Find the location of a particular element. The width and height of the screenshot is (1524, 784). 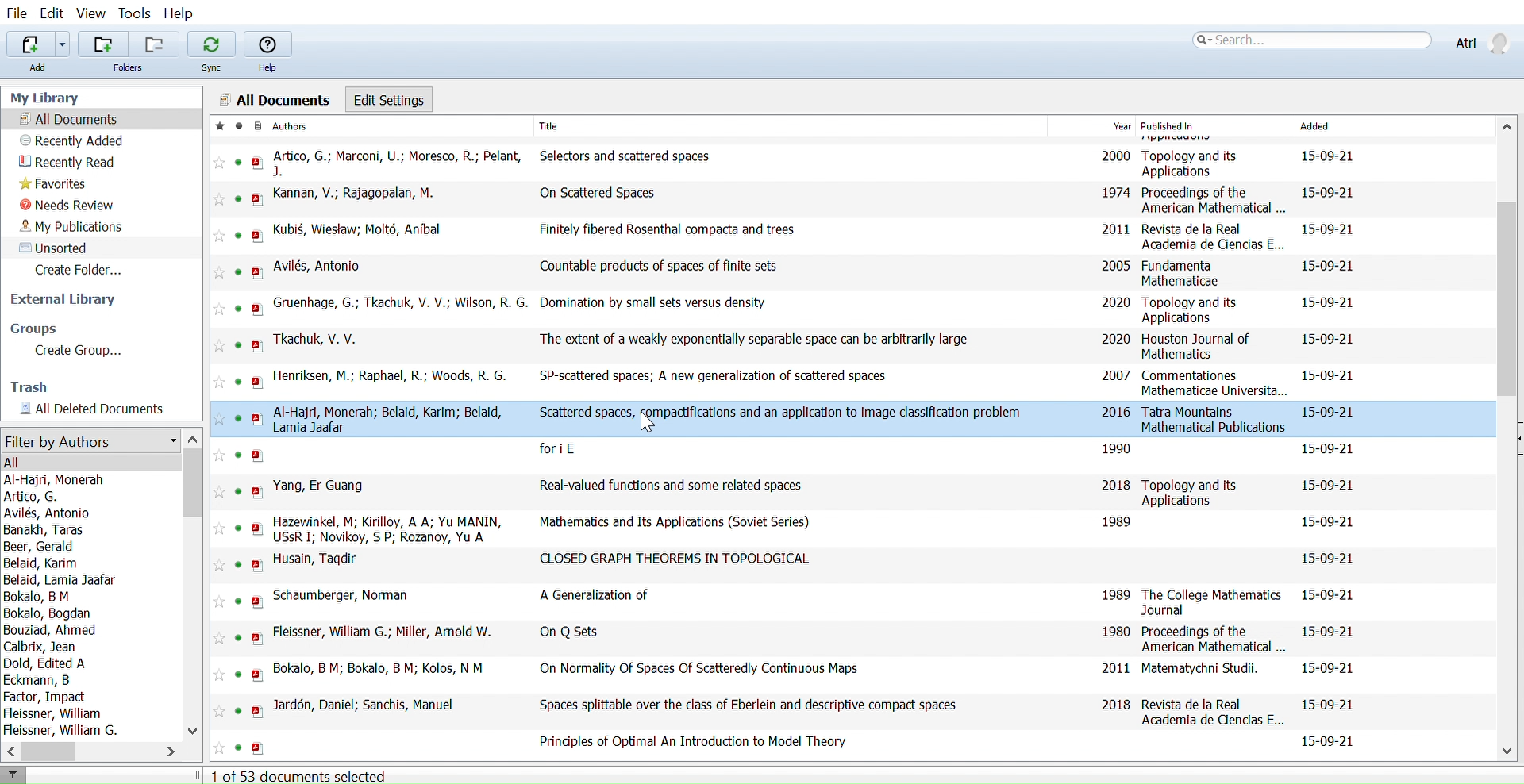

PDF Document is located at coordinates (257, 418).